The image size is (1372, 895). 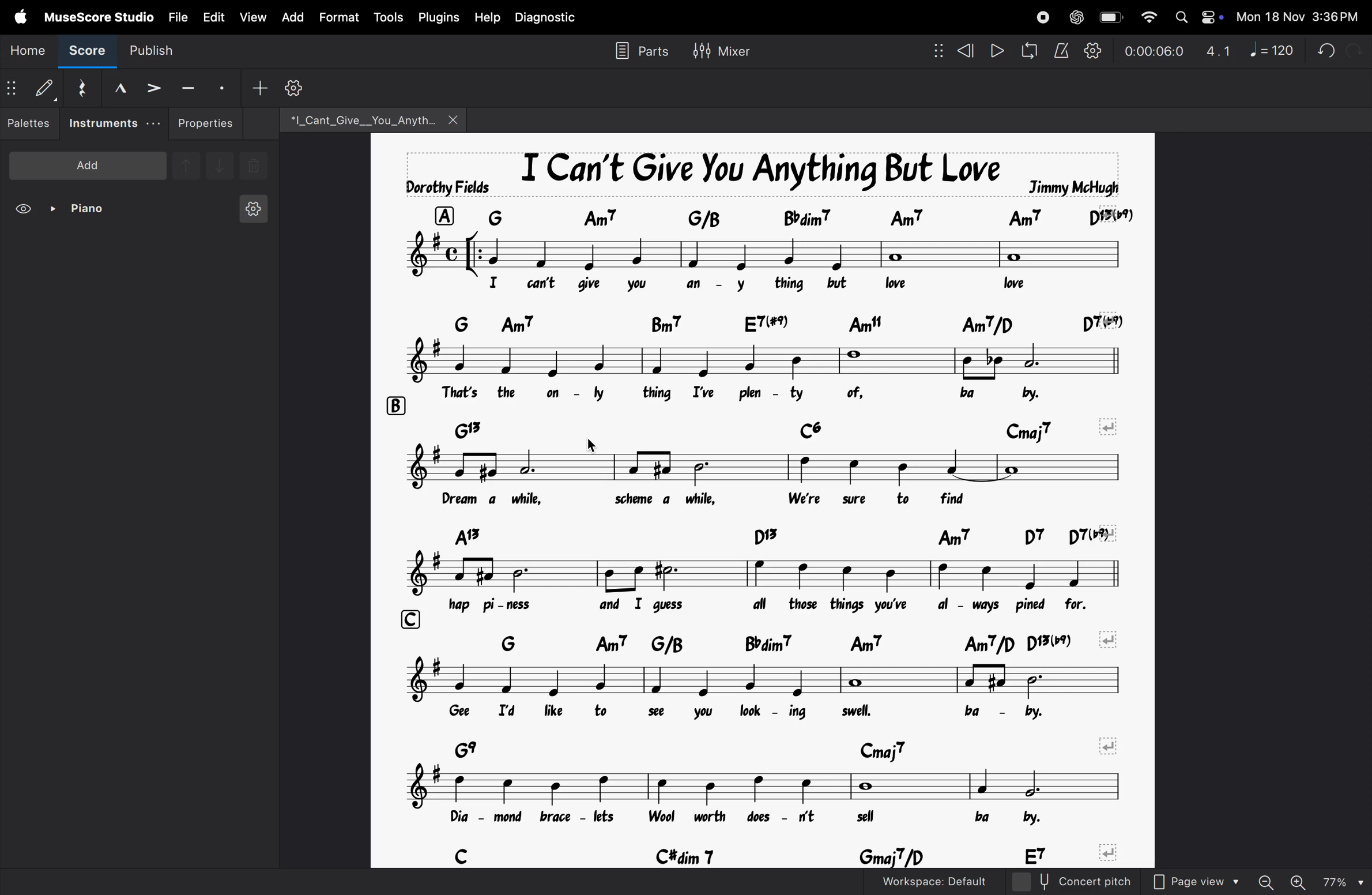 What do you see at coordinates (255, 90) in the screenshot?
I see `add` at bounding box center [255, 90].